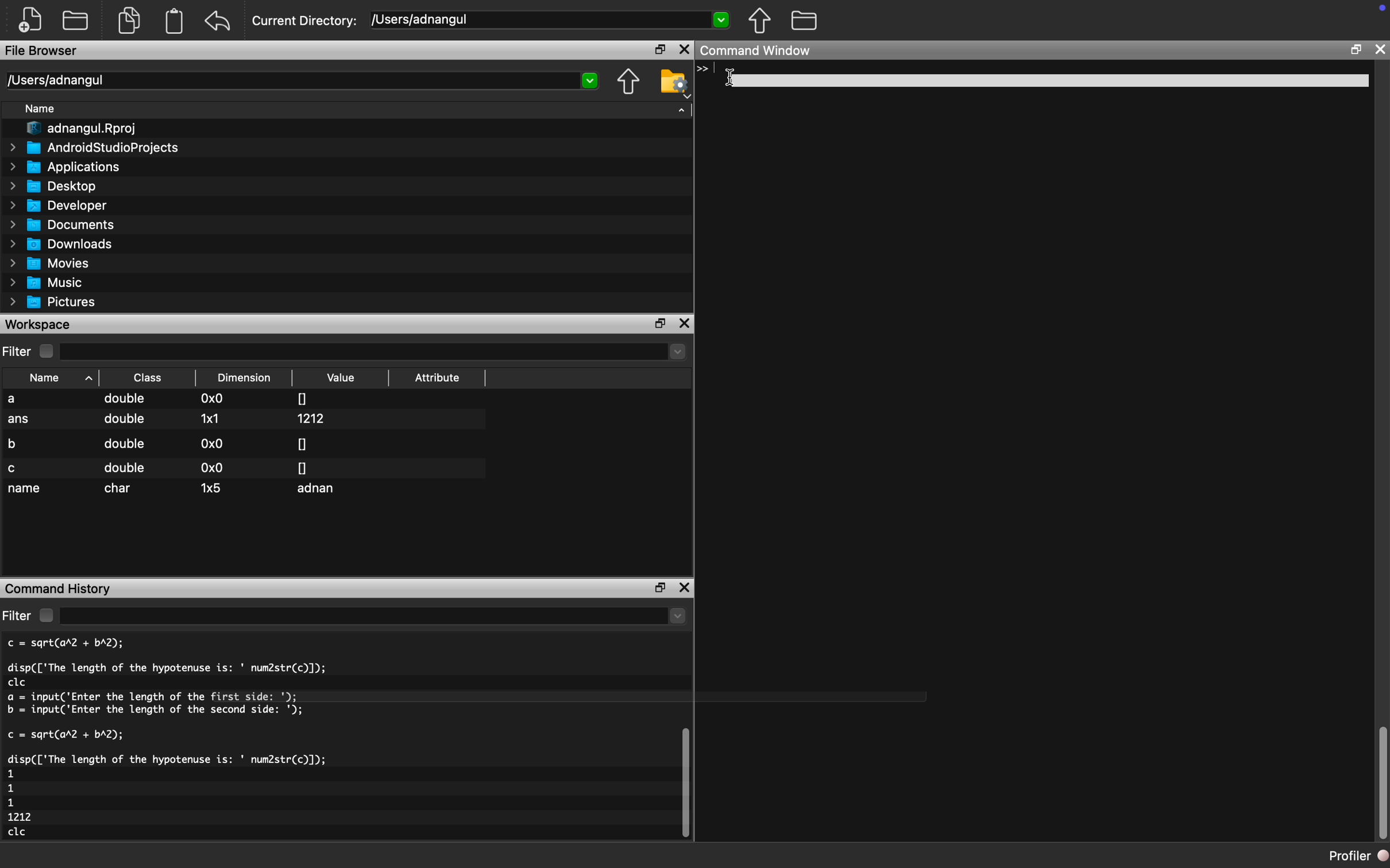 The height and width of the screenshot is (868, 1390). Describe the element at coordinates (760, 52) in the screenshot. I see `Command Window` at that location.